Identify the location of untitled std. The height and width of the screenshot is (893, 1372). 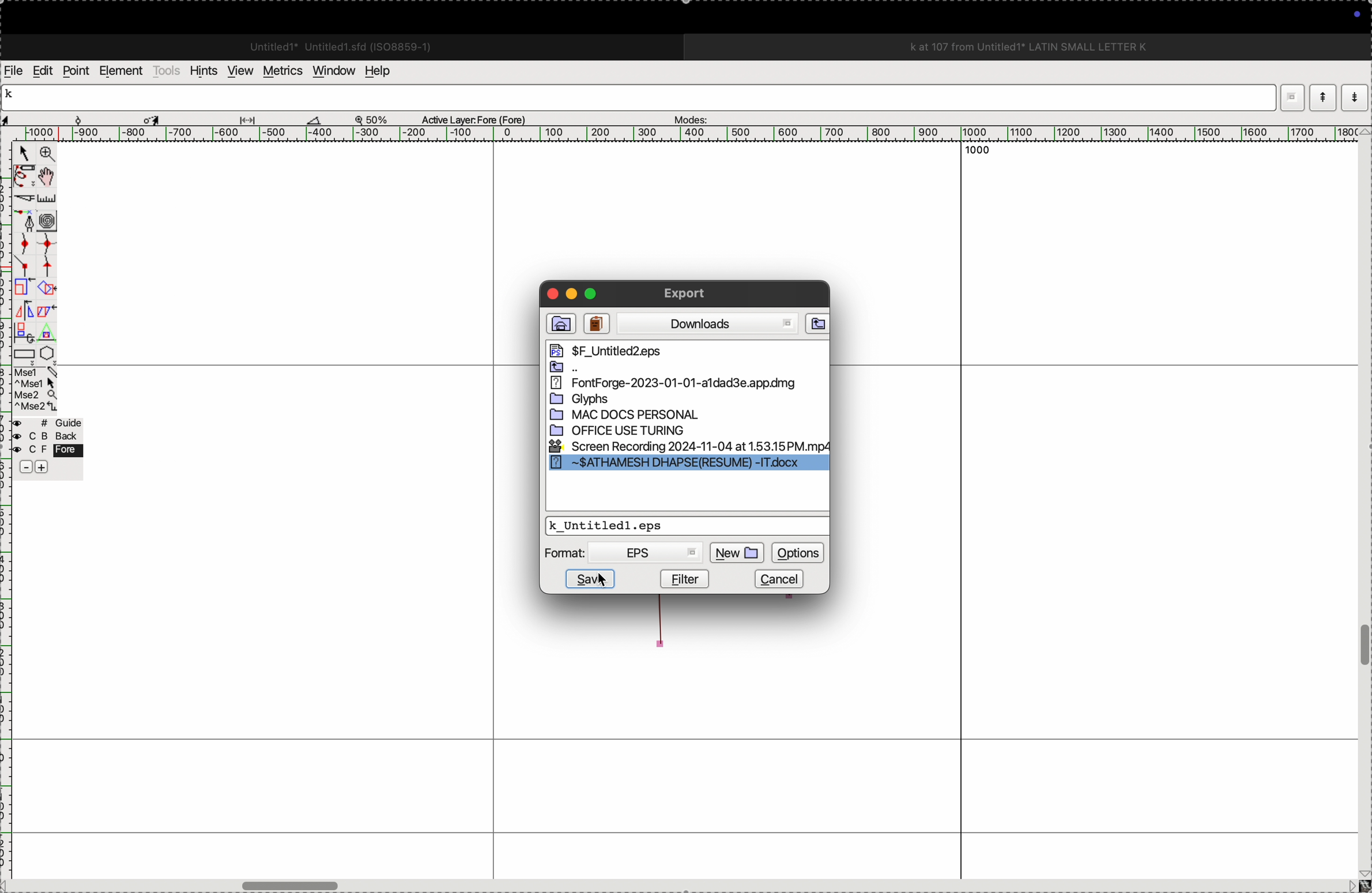
(345, 46).